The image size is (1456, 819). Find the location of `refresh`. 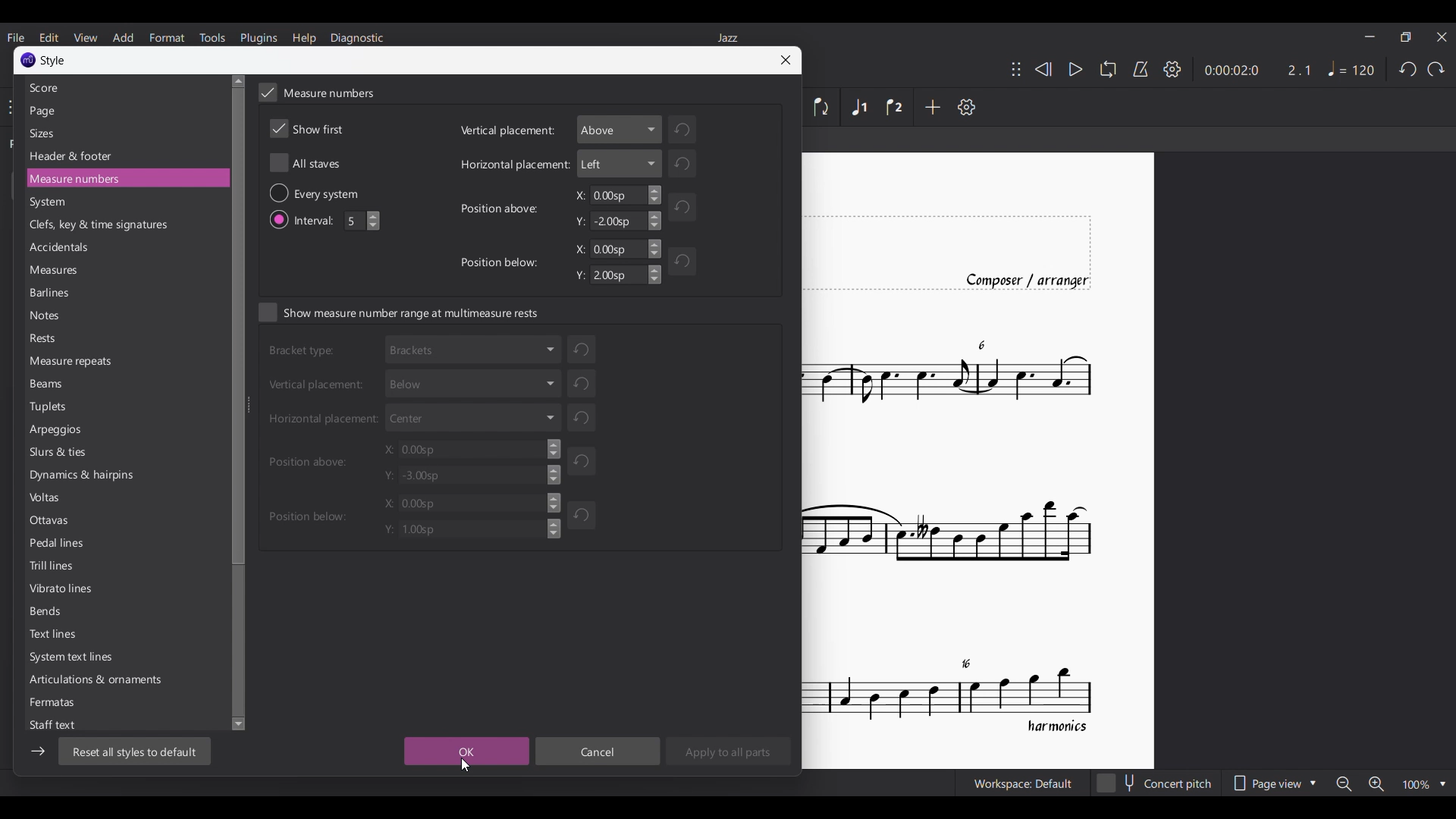

refresh is located at coordinates (582, 382).